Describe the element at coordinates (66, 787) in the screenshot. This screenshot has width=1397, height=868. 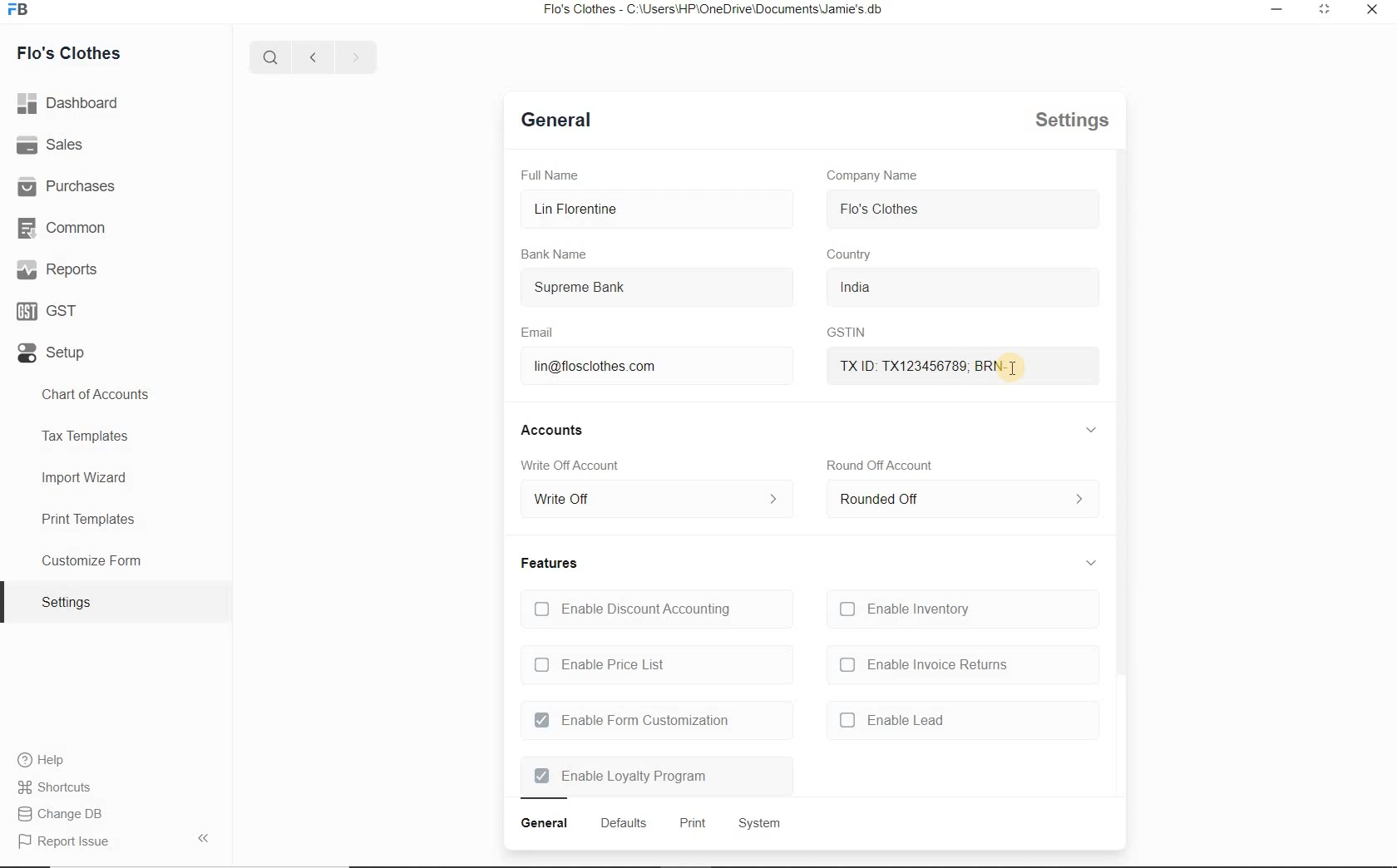
I see `Change DB` at that location.